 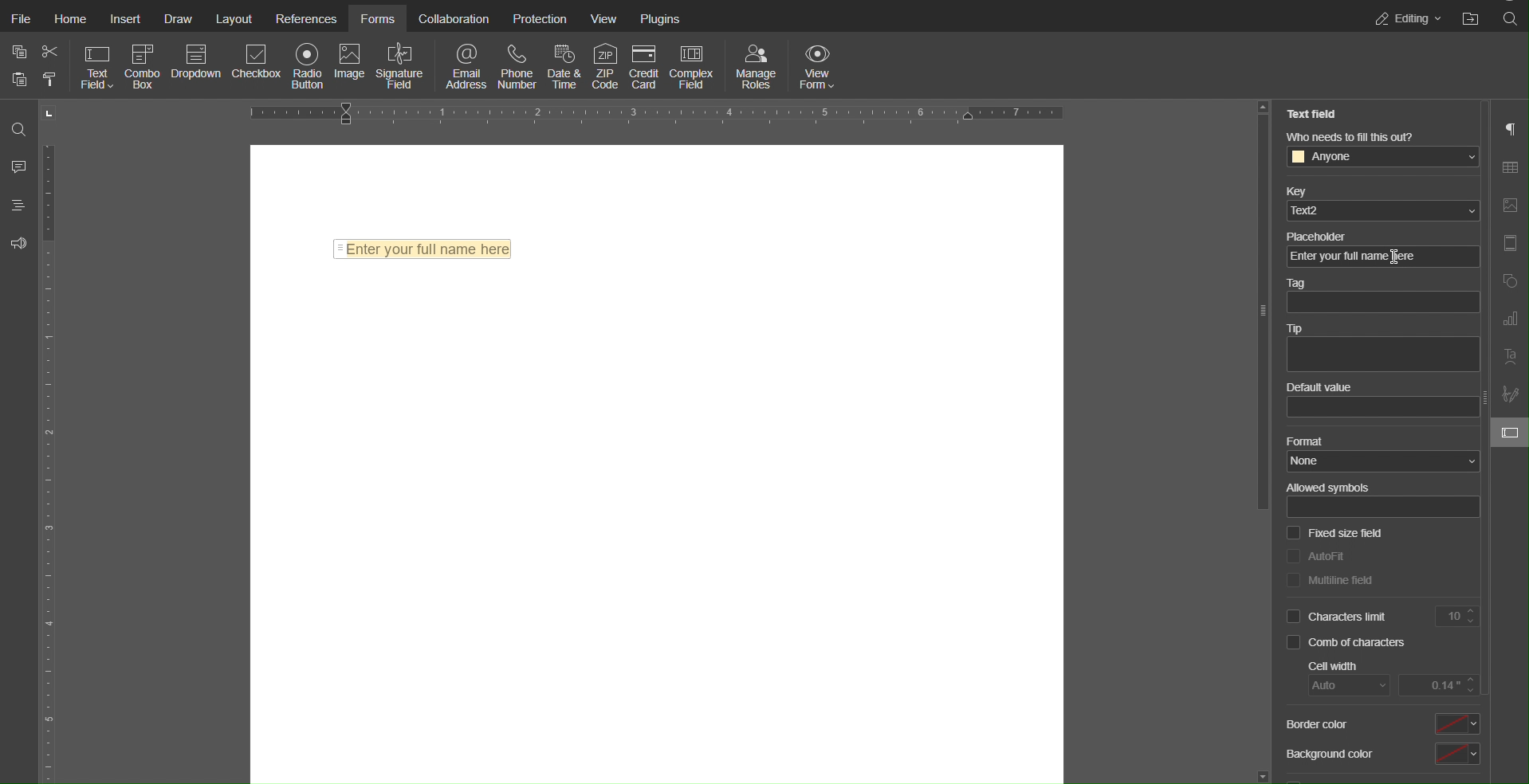 I want to click on , so click(x=1329, y=234).